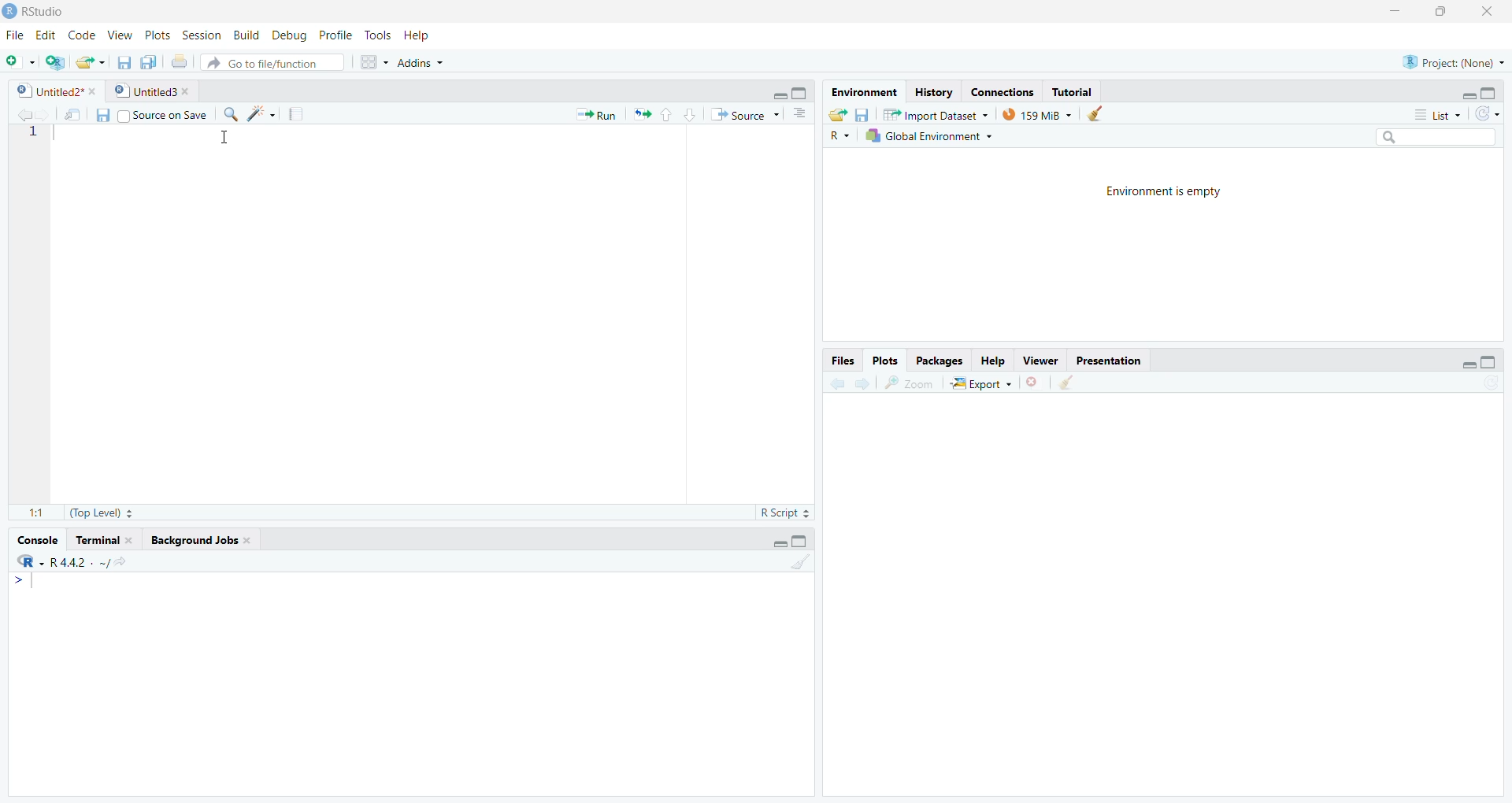 The width and height of the screenshot is (1512, 803). I want to click on Session, so click(202, 37).